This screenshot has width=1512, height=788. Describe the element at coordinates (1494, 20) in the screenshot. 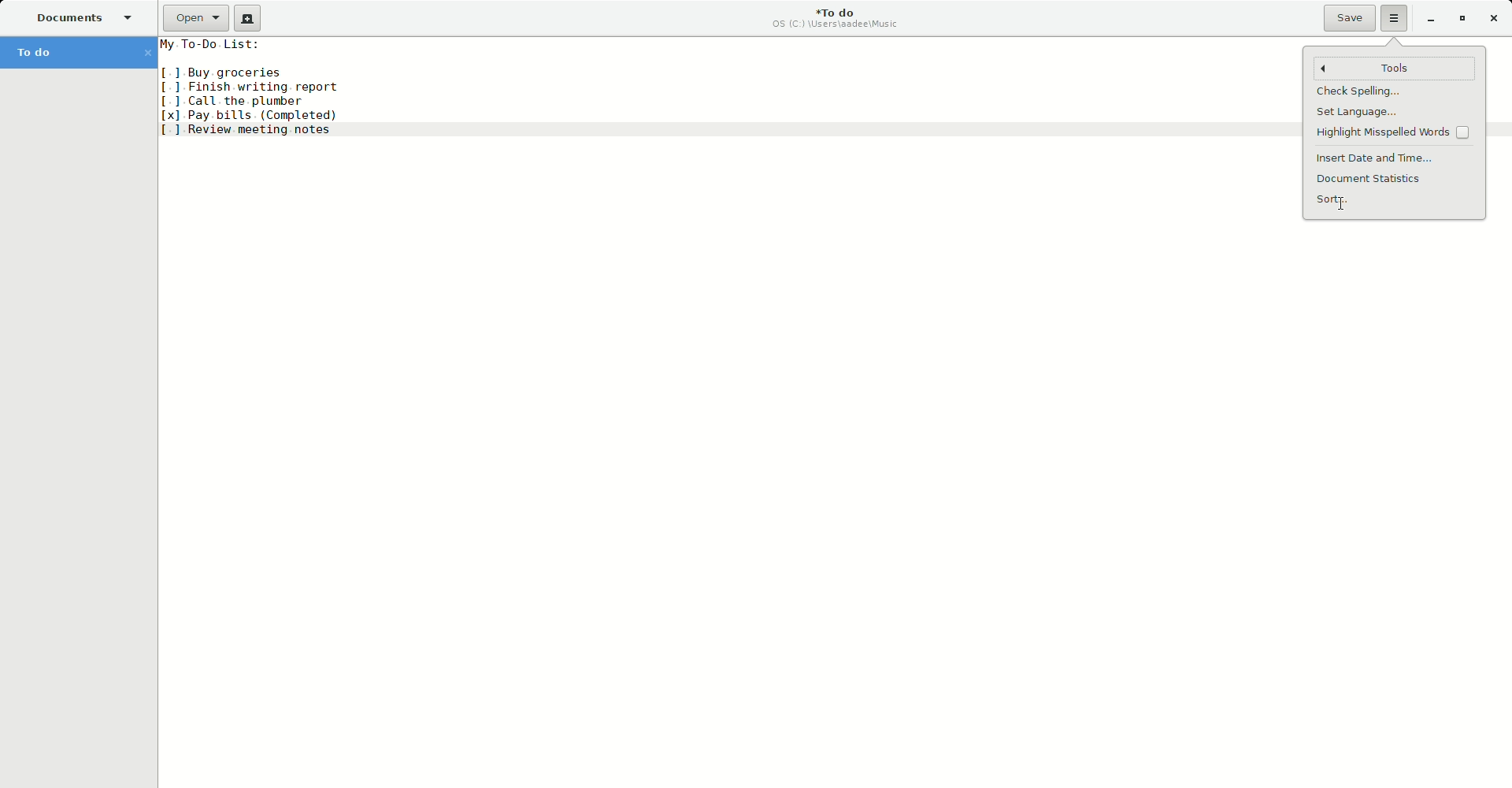

I see `Close` at that location.